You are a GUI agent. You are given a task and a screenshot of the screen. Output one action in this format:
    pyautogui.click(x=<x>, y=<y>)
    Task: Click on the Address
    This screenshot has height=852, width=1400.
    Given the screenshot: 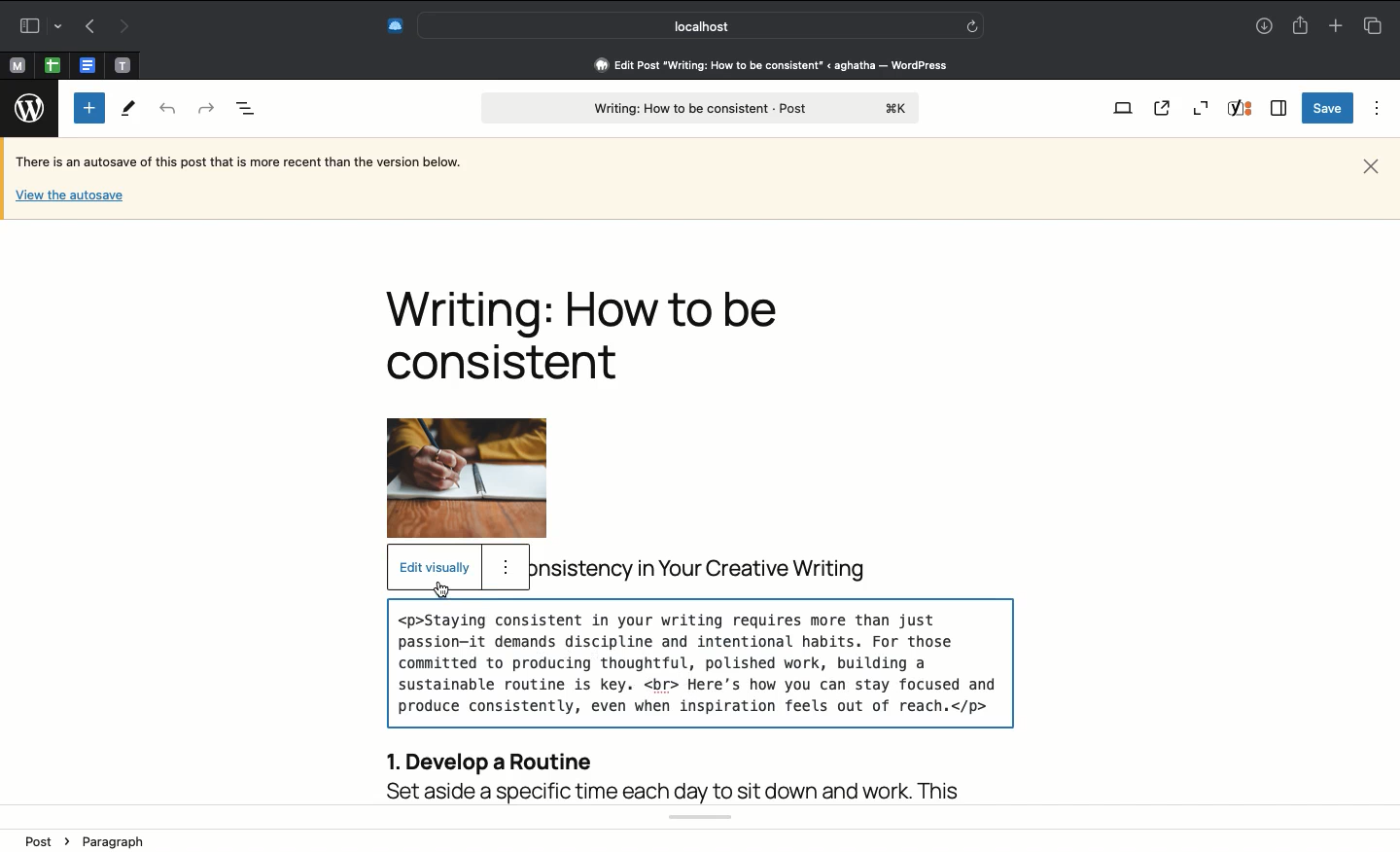 What is the action you would take?
    pyautogui.click(x=758, y=65)
    